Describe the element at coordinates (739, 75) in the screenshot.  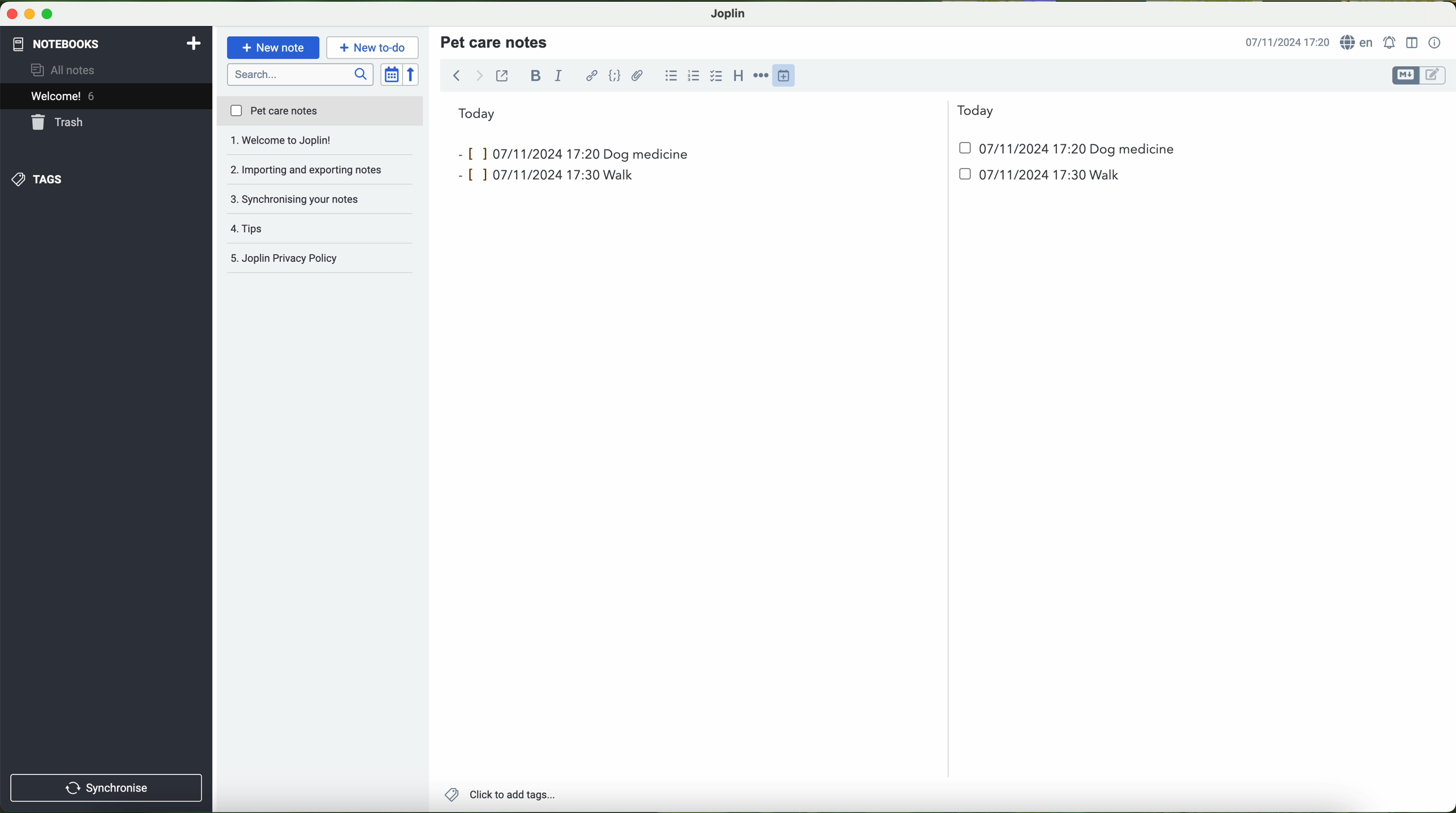
I see `heading` at that location.